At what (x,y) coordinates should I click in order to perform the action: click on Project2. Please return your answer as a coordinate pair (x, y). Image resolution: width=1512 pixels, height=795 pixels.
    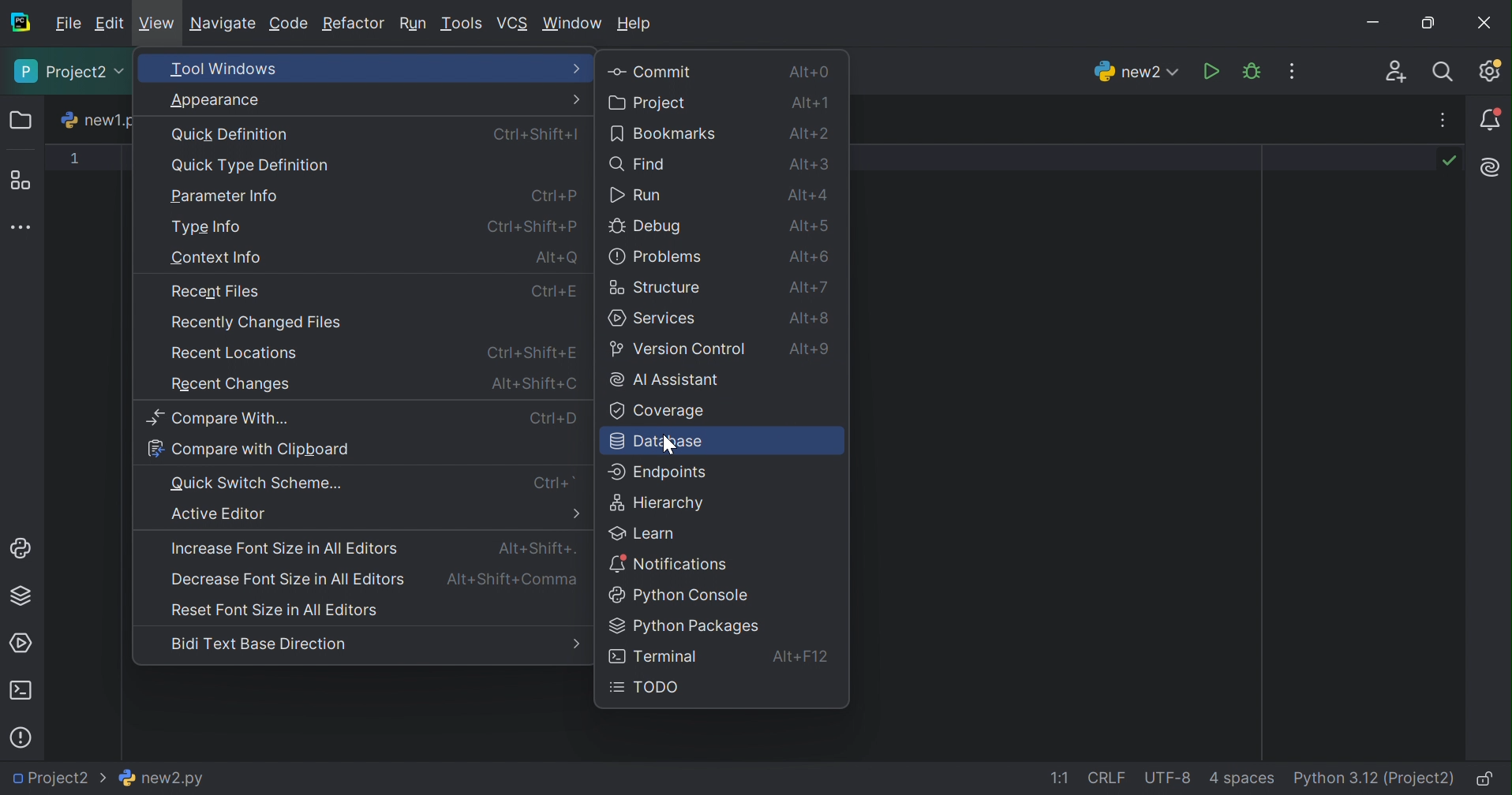
    Looking at the image, I should click on (69, 72).